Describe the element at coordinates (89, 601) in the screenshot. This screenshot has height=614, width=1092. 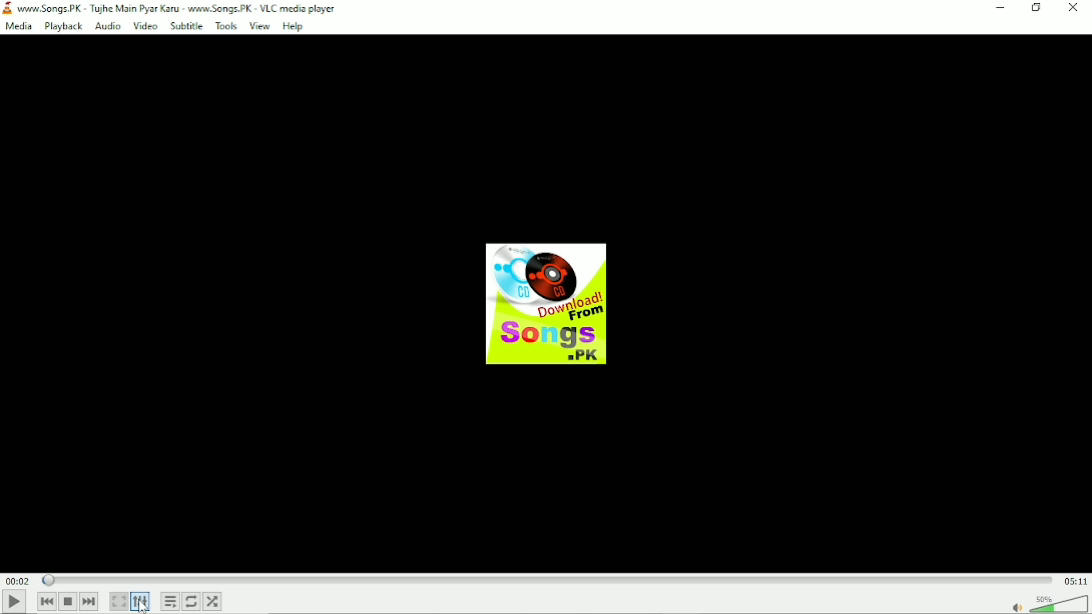
I see `Next` at that location.